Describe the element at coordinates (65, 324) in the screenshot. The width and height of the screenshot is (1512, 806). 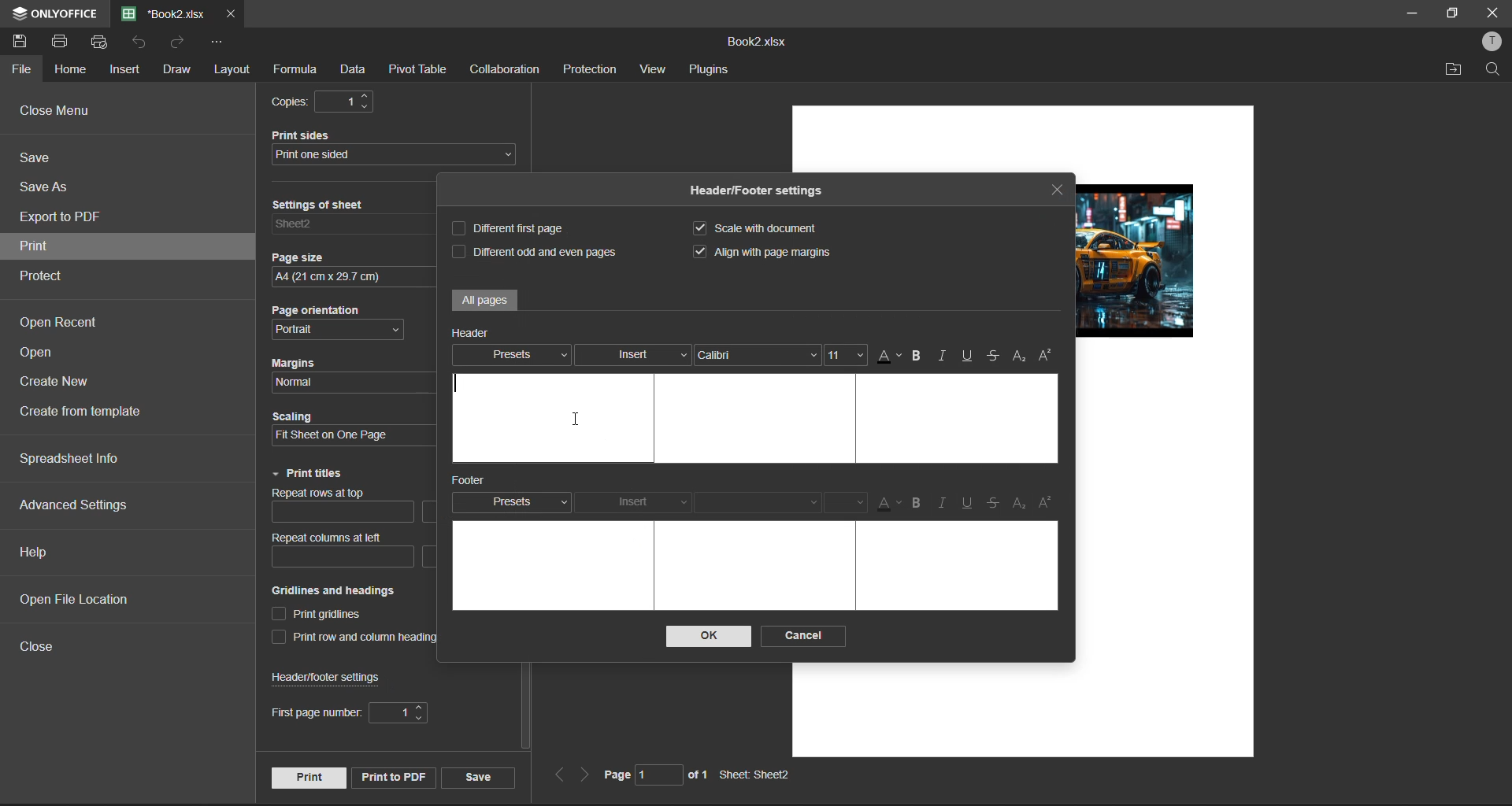
I see `open recent` at that location.